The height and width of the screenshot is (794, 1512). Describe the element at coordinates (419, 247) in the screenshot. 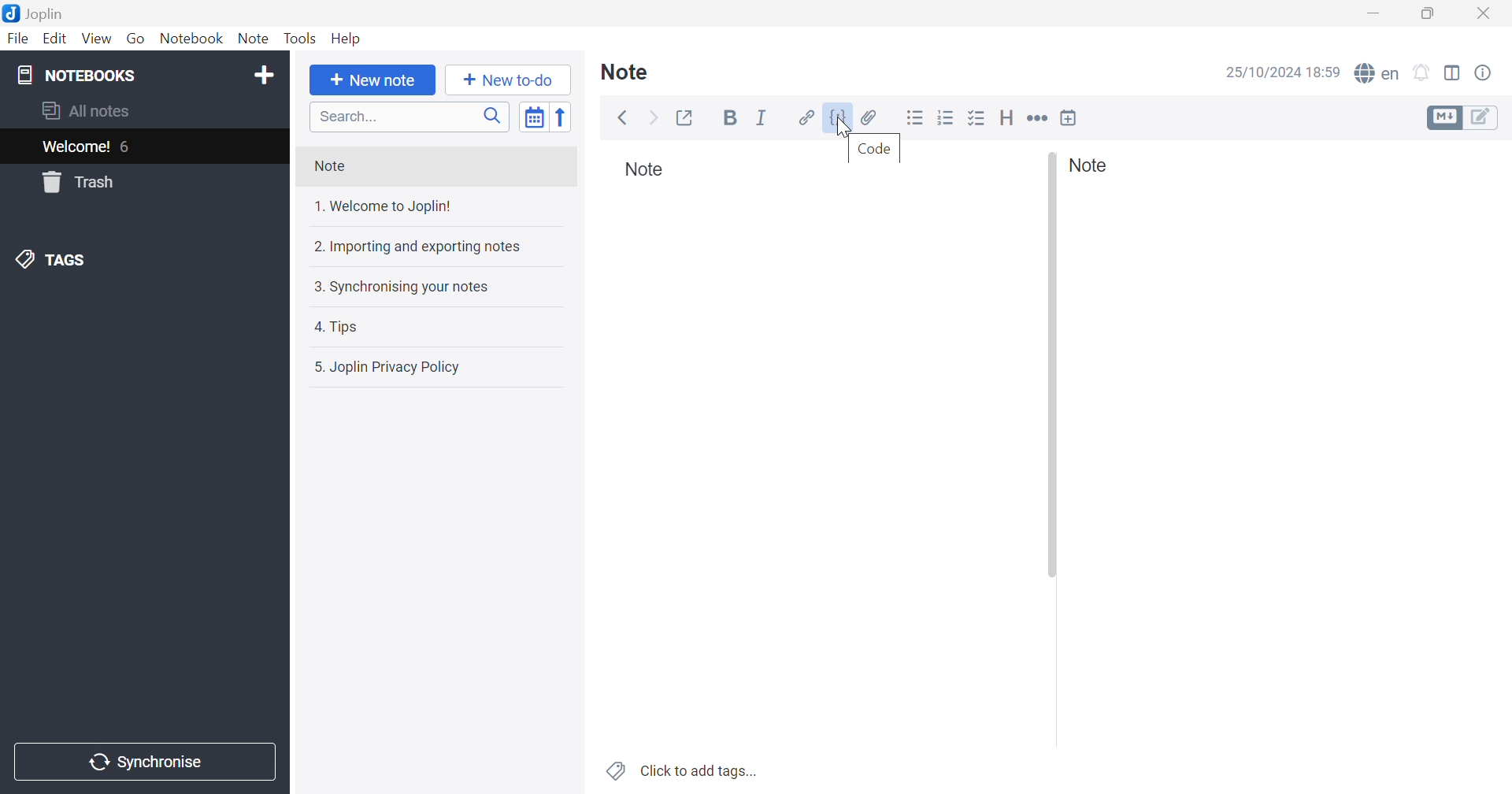

I see `2. Importing and exporting notes` at that location.